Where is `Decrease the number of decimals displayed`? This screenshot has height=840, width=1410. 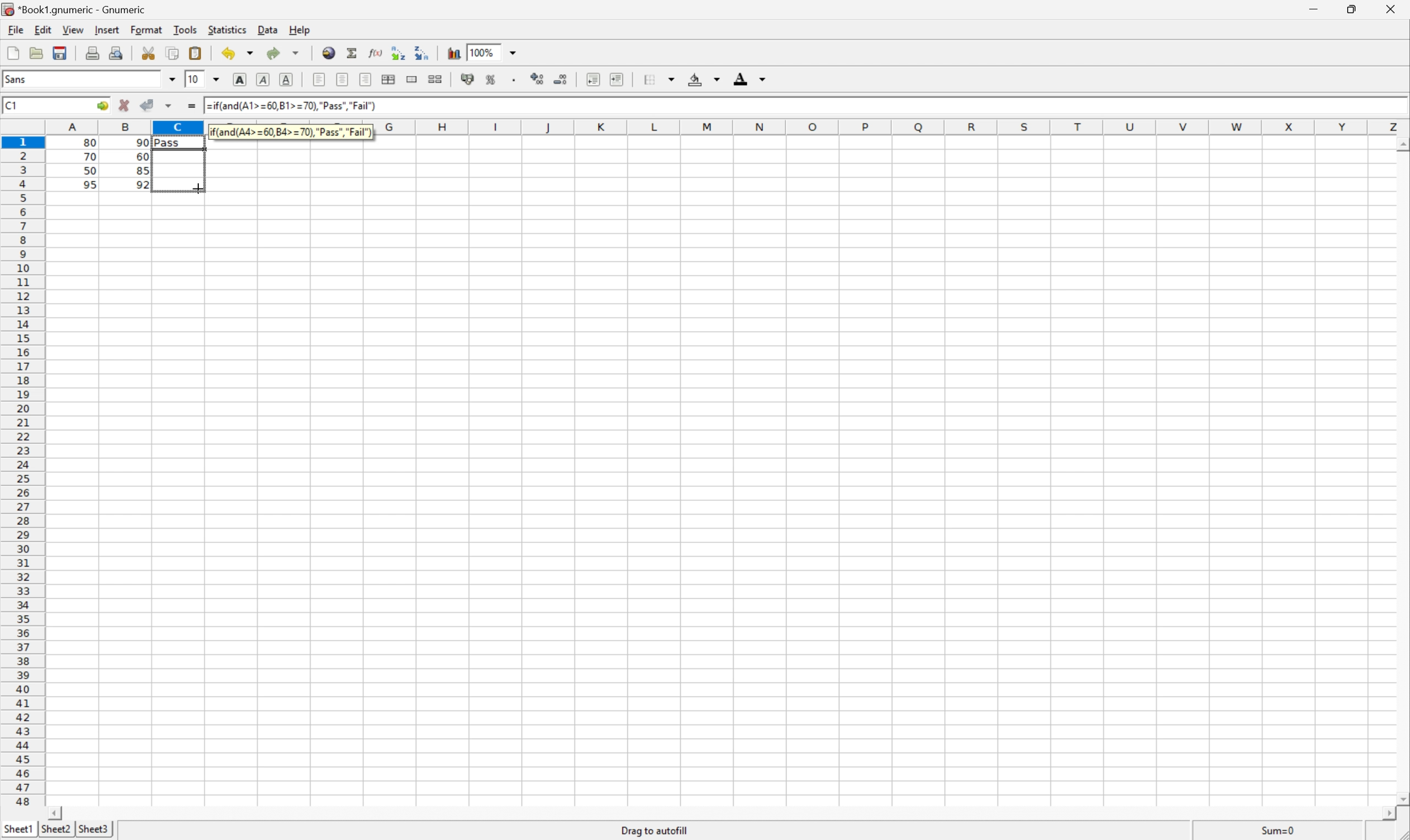 Decrease the number of decimals displayed is located at coordinates (563, 79).